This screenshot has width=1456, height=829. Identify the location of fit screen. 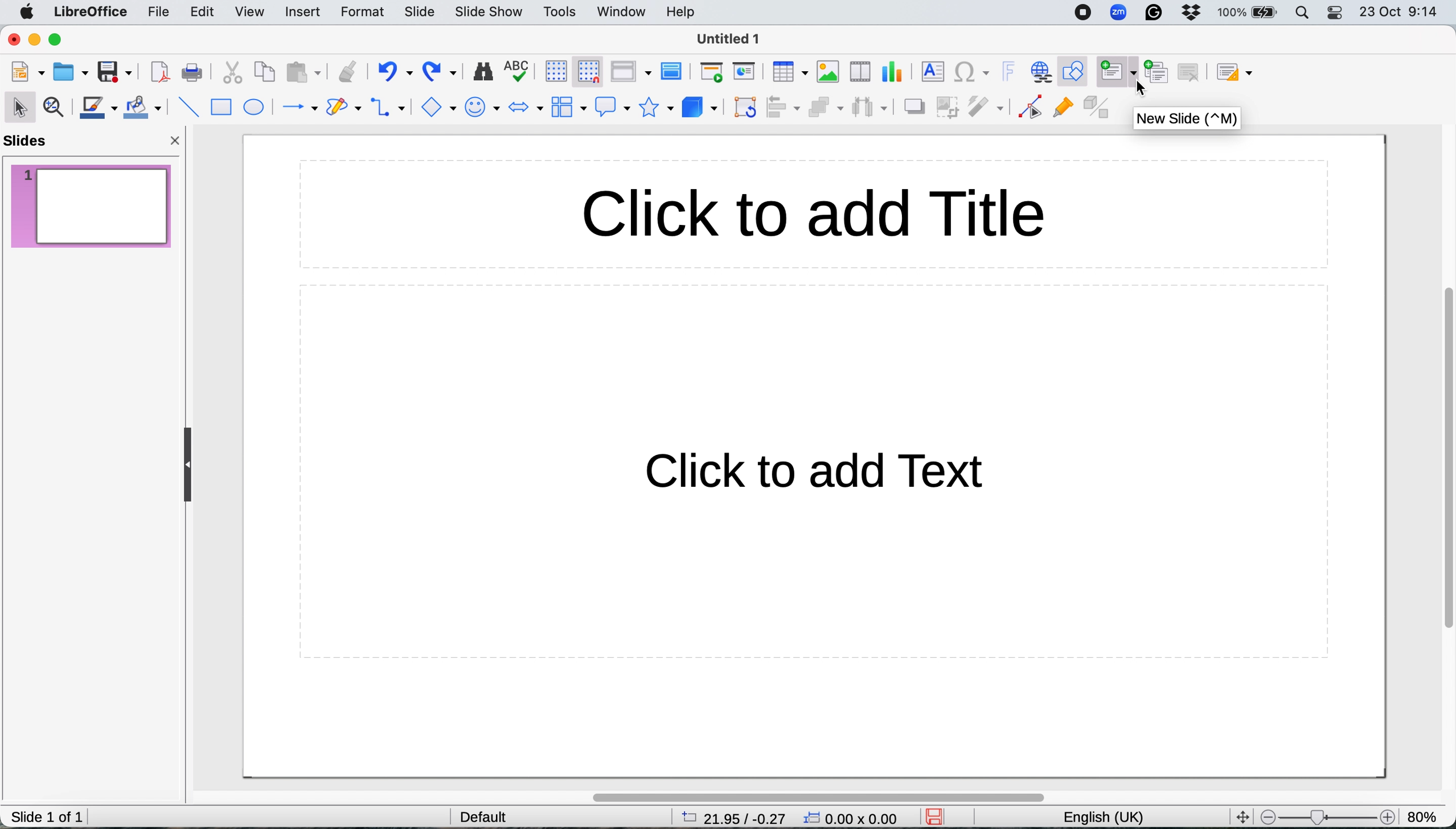
(1241, 815).